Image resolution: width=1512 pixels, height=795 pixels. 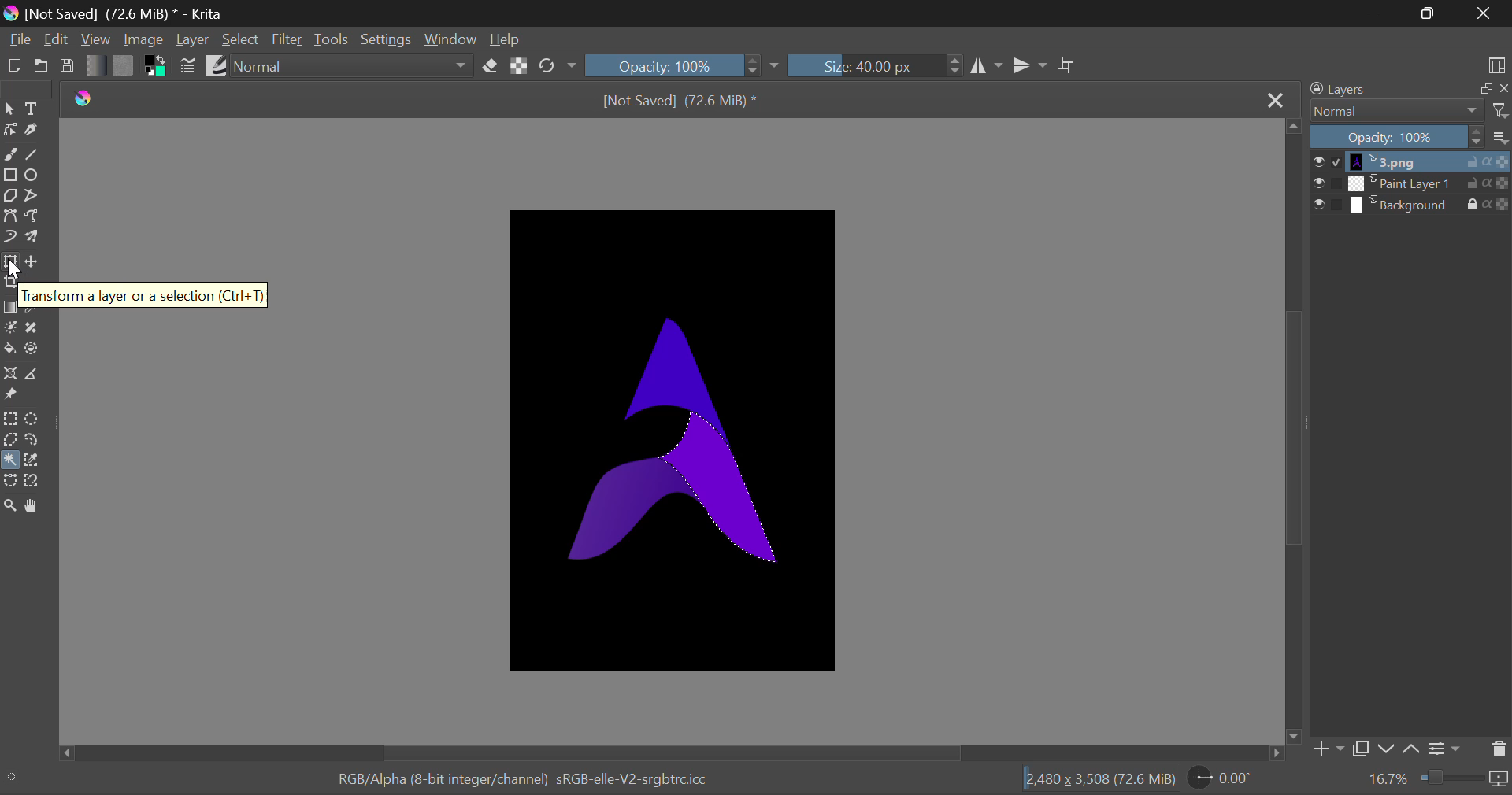 I want to click on Settings, so click(x=384, y=39).